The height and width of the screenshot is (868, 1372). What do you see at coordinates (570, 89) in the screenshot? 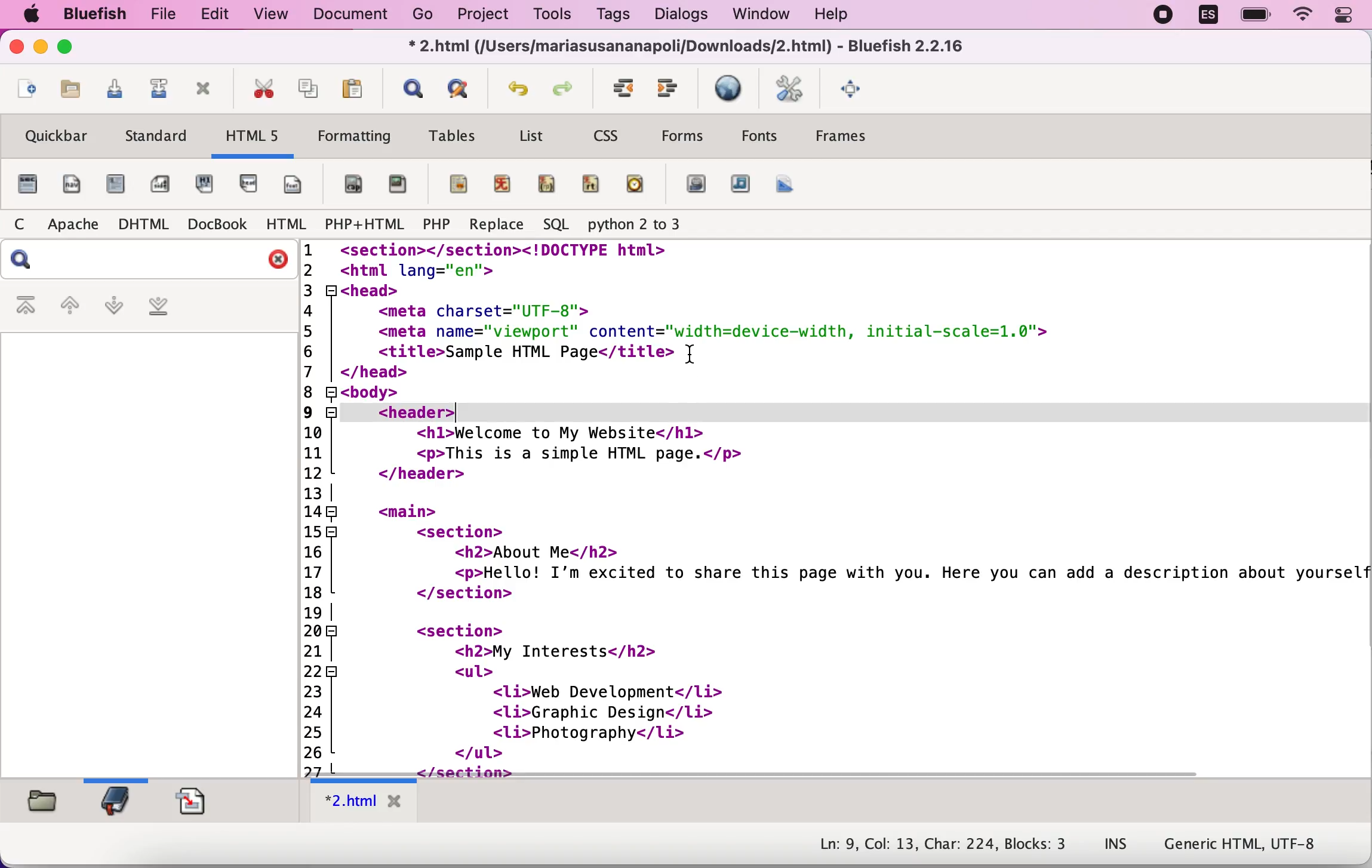
I see `Redo` at bounding box center [570, 89].